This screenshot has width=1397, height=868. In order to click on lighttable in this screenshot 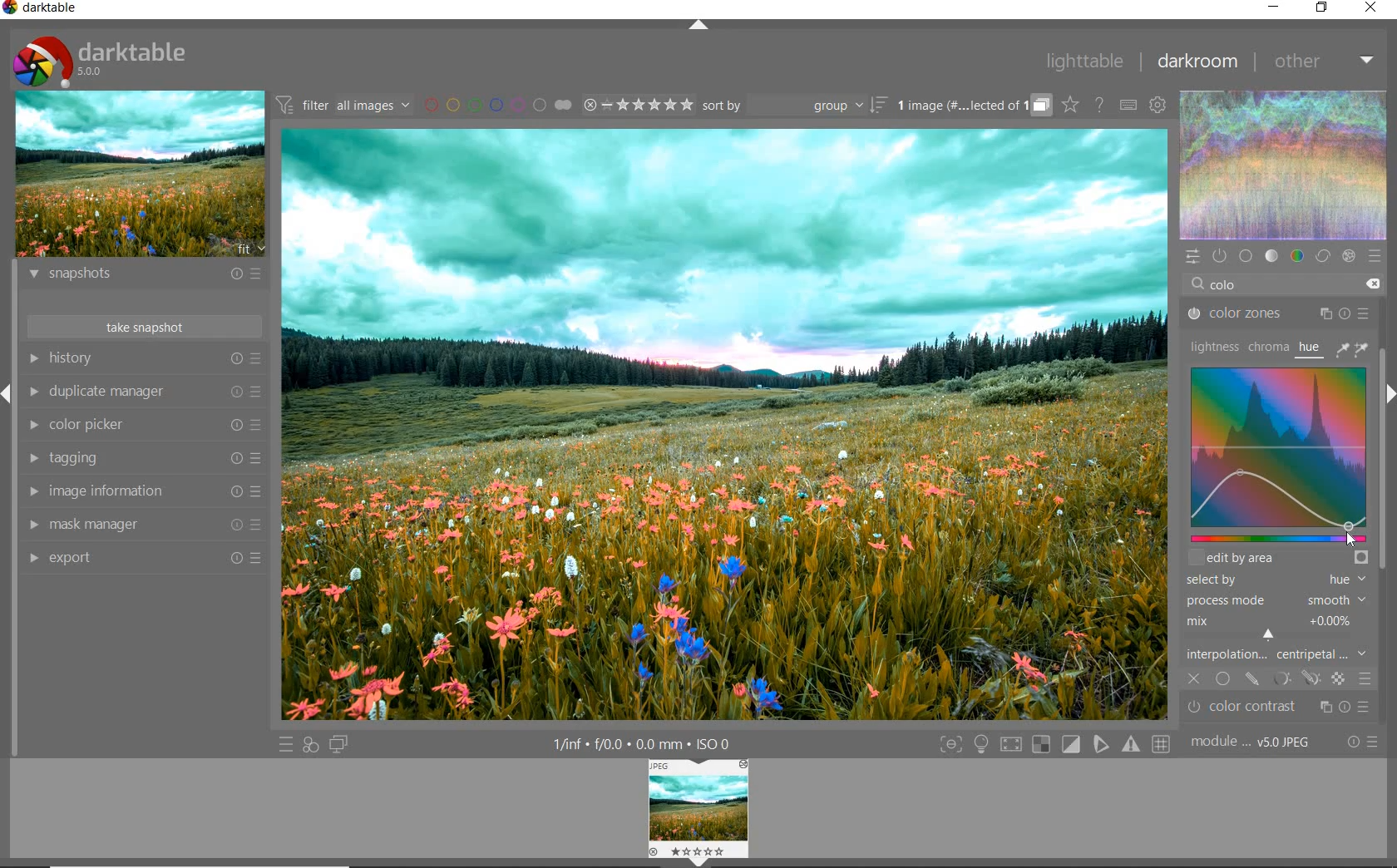, I will do `click(1084, 62)`.